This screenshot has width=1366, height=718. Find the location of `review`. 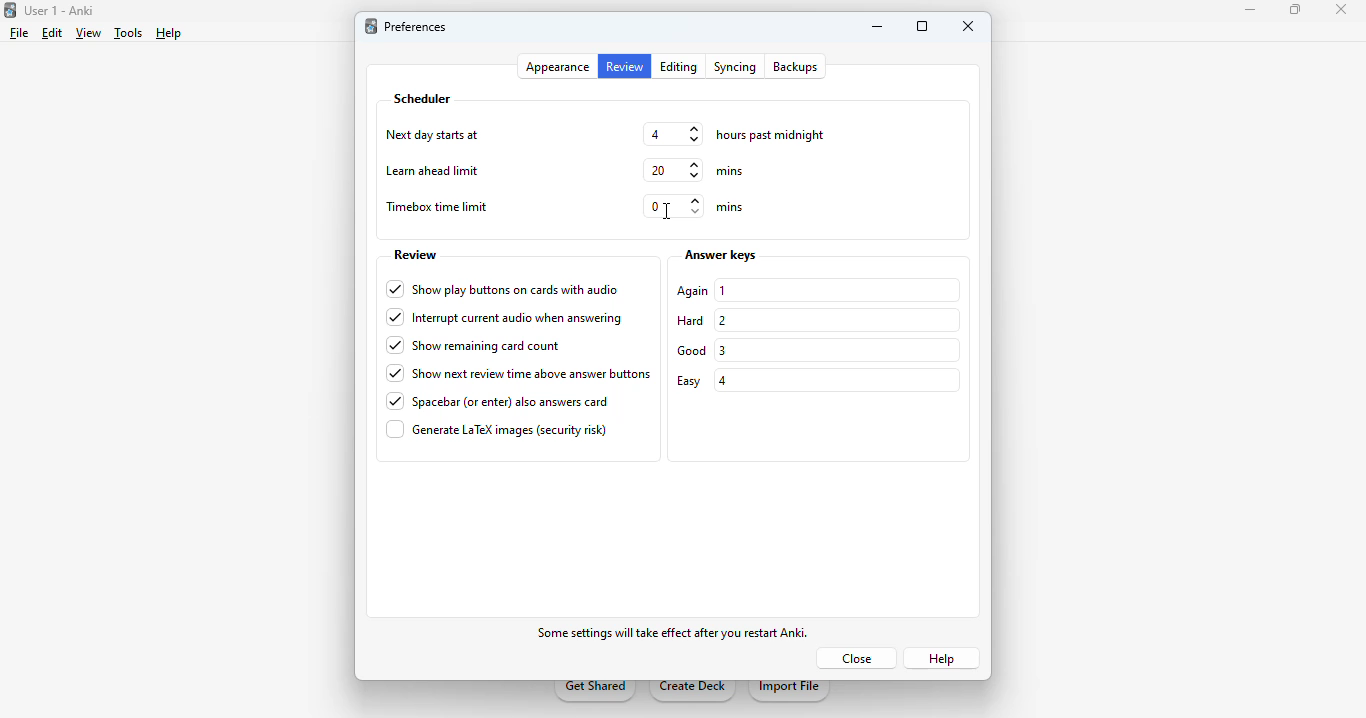

review is located at coordinates (626, 67).